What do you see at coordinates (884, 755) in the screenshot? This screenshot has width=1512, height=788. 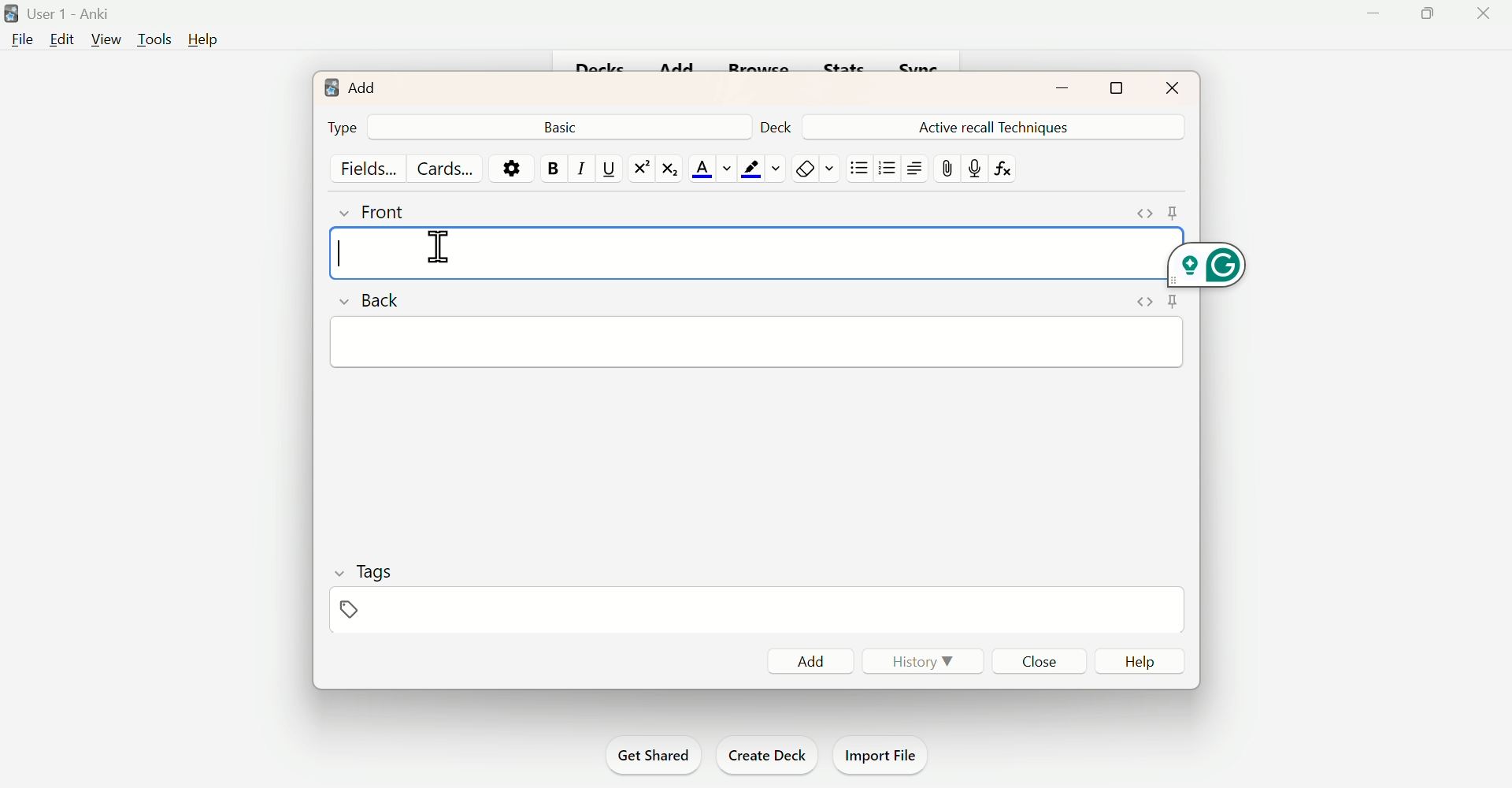 I see `Import File` at bounding box center [884, 755].